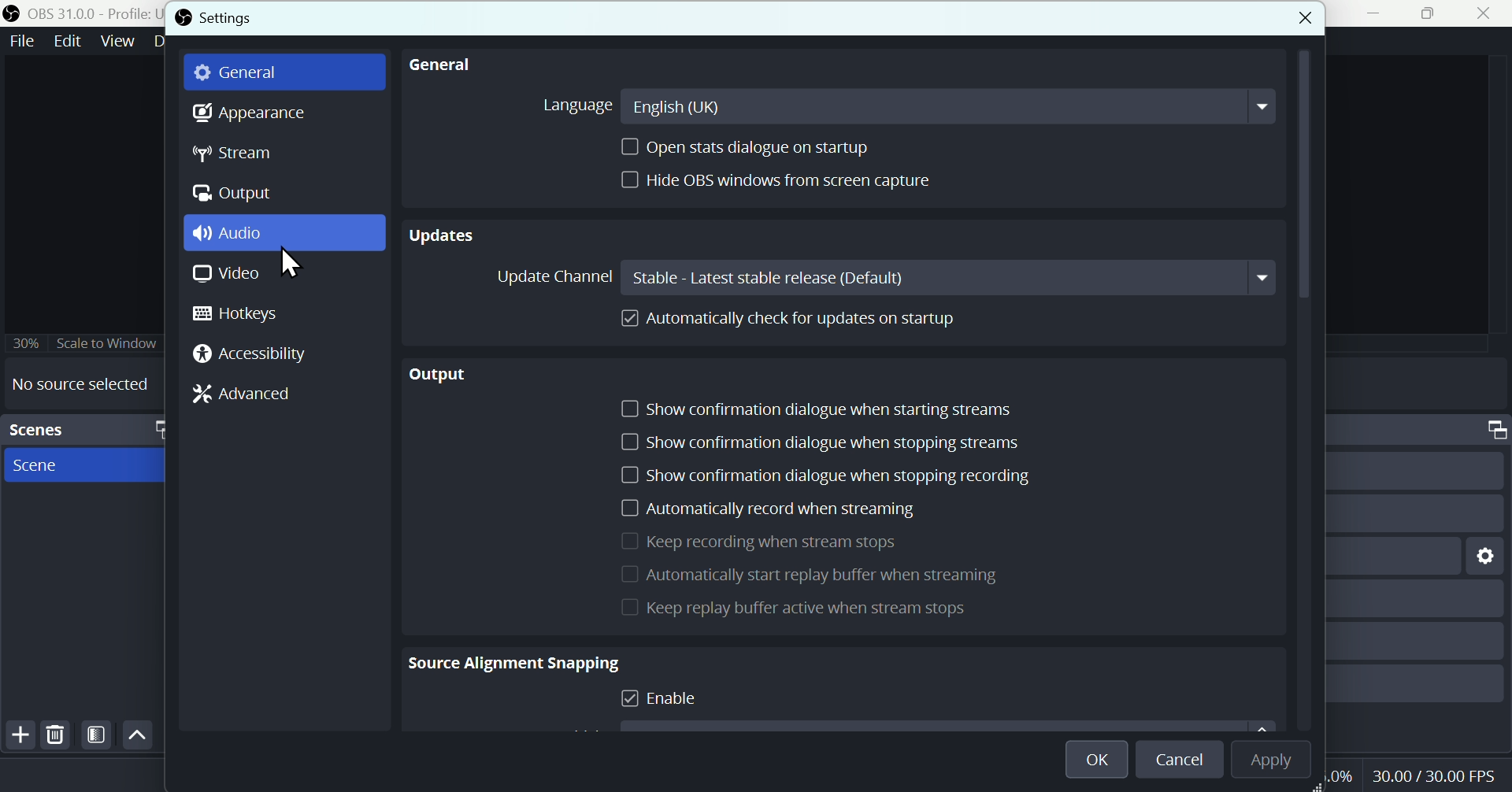 This screenshot has height=792, width=1512. What do you see at coordinates (76, 384) in the screenshot?
I see `no source selected` at bounding box center [76, 384].